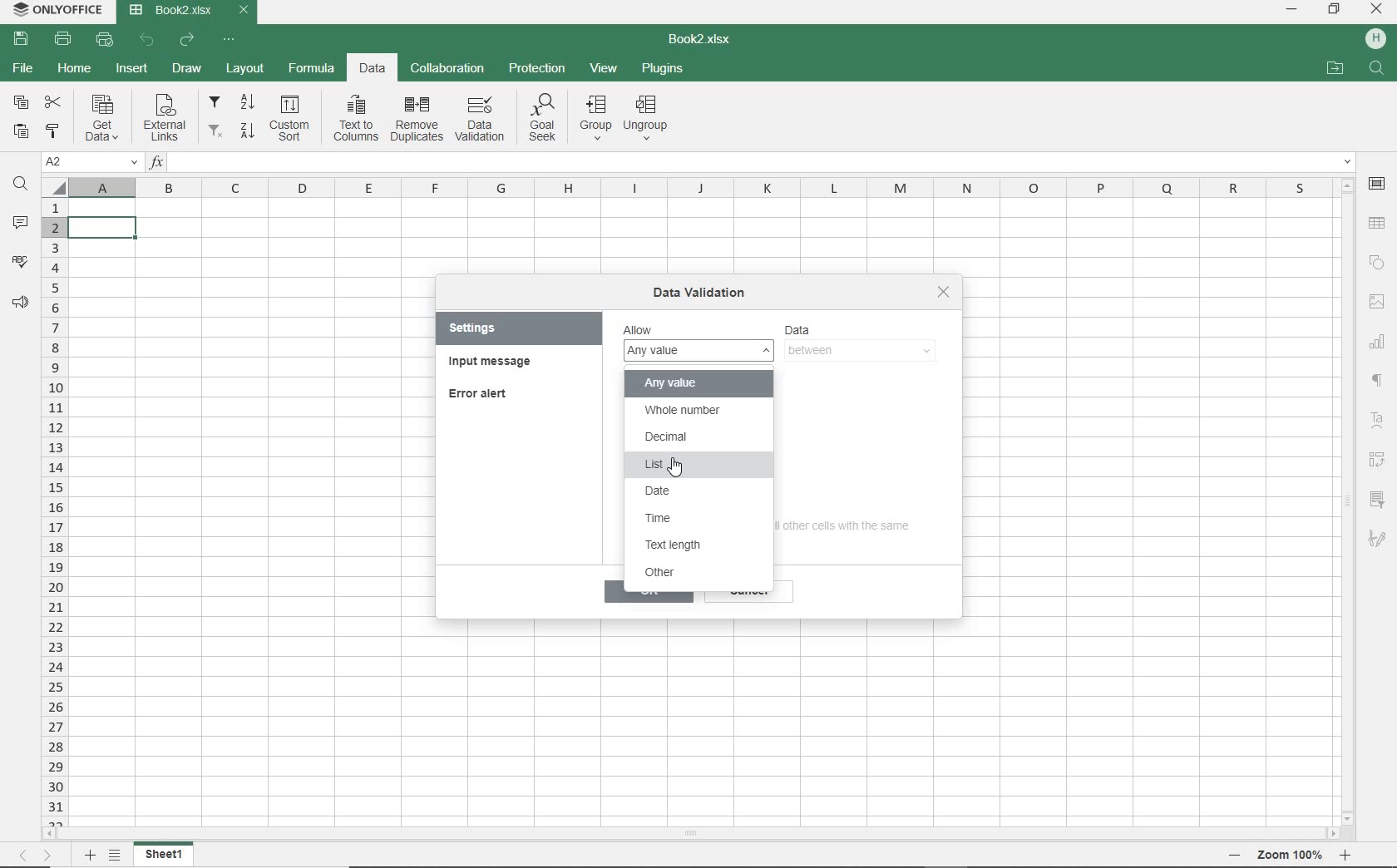 This screenshot has width=1397, height=868. Describe the element at coordinates (845, 532) in the screenshot. I see `apply these changes to all other cells with the same settings` at that location.